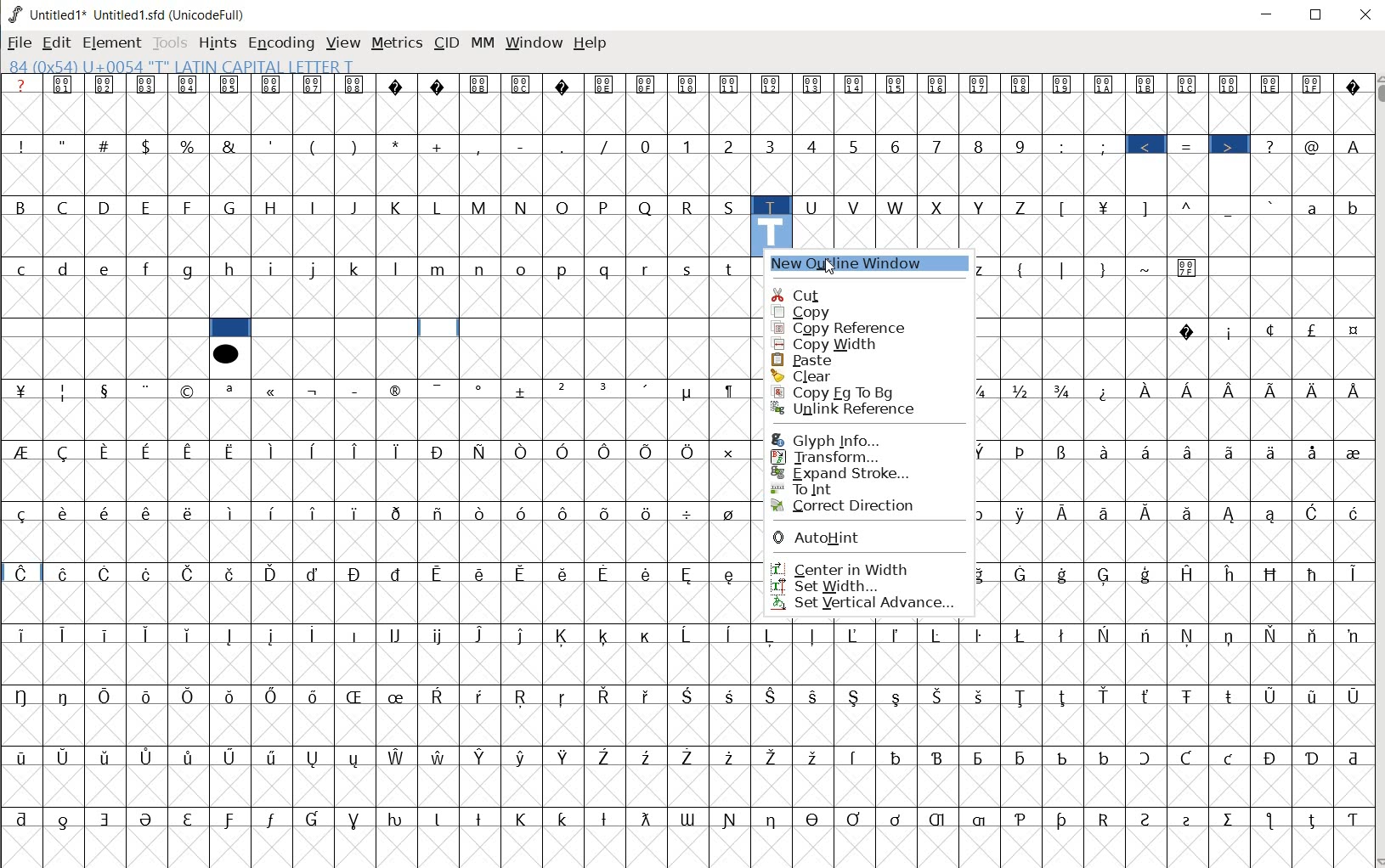 This screenshot has width=1385, height=868. Describe the element at coordinates (648, 573) in the screenshot. I see `Symbol` at that location.